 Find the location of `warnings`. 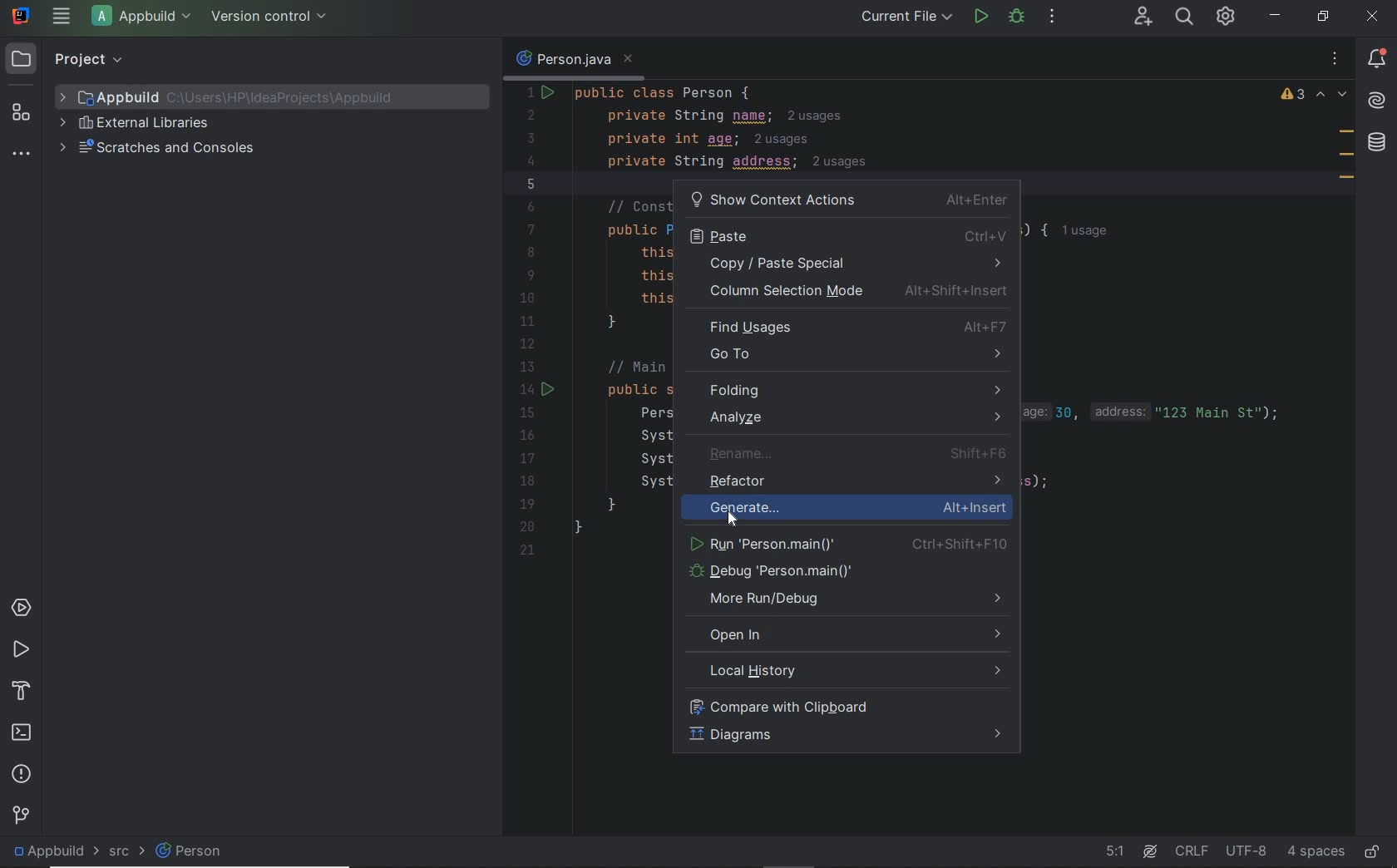

warnings is located at coordinates (1293, 96).